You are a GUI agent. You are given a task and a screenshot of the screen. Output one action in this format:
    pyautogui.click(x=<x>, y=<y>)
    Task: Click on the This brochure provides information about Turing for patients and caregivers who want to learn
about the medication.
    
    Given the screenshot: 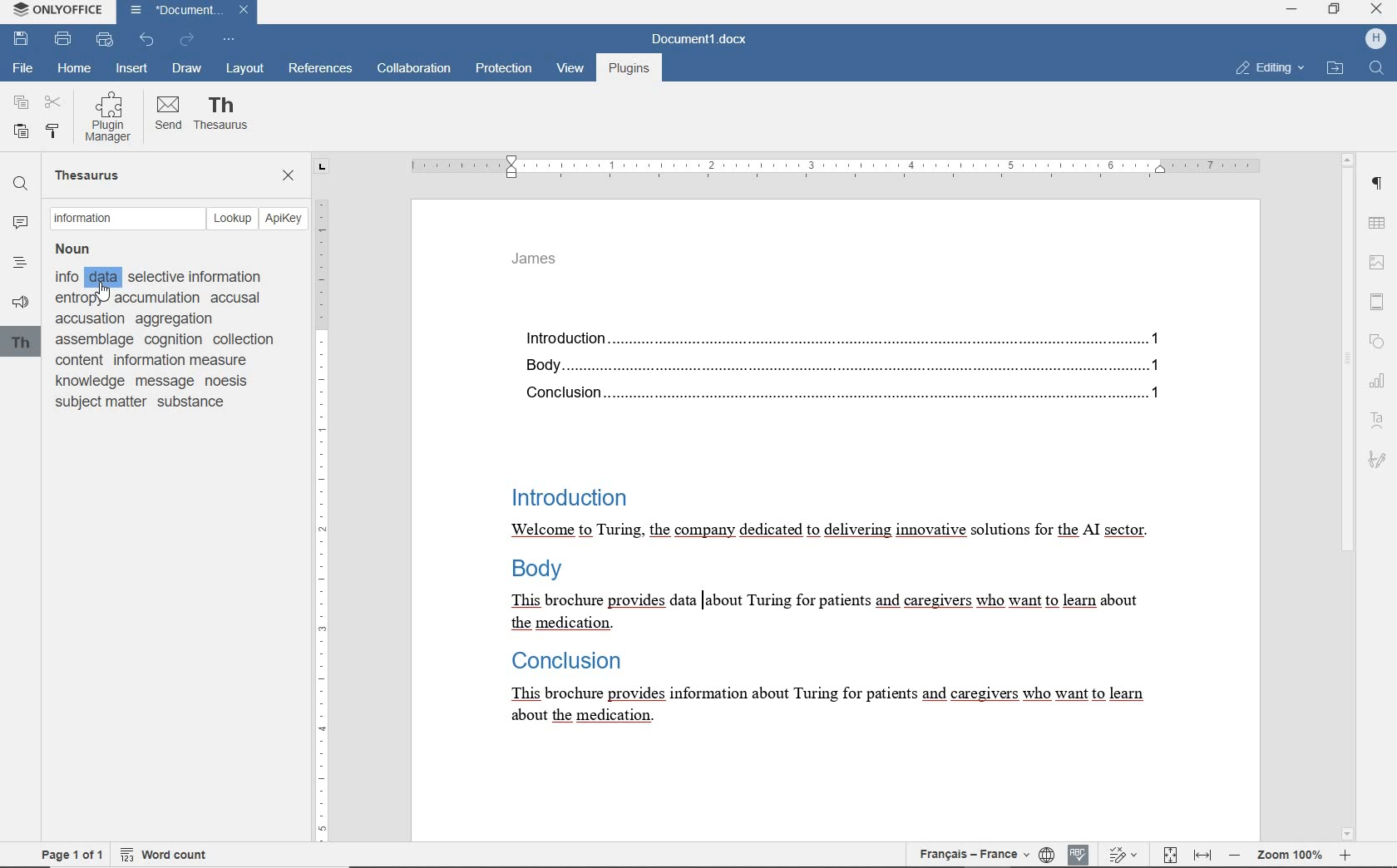 What is the action you would take?
    pyautogui.click(x=832, y=705)
    